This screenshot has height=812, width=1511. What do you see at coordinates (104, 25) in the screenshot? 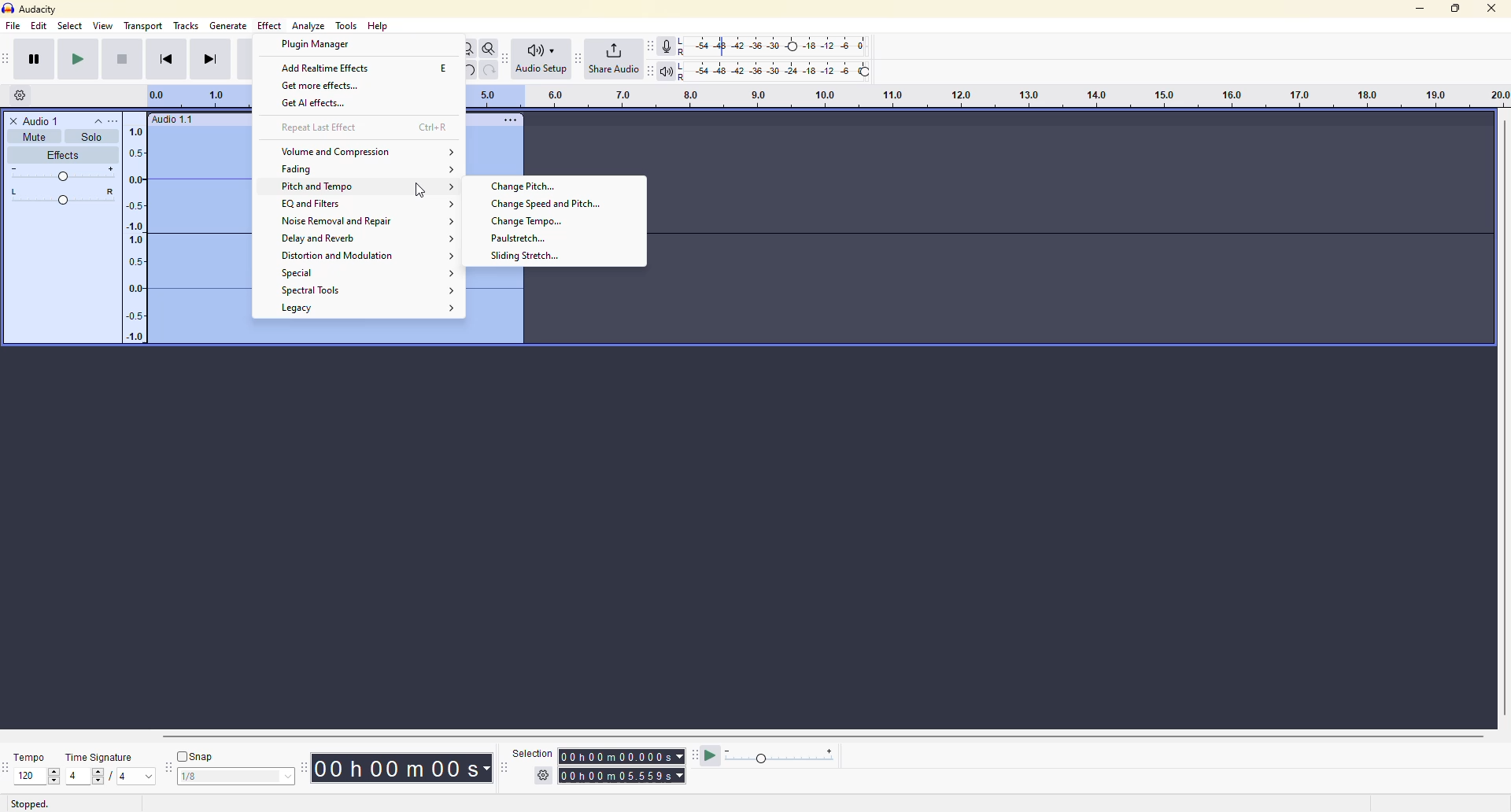
I see `view` at bounding box center [104, 25].